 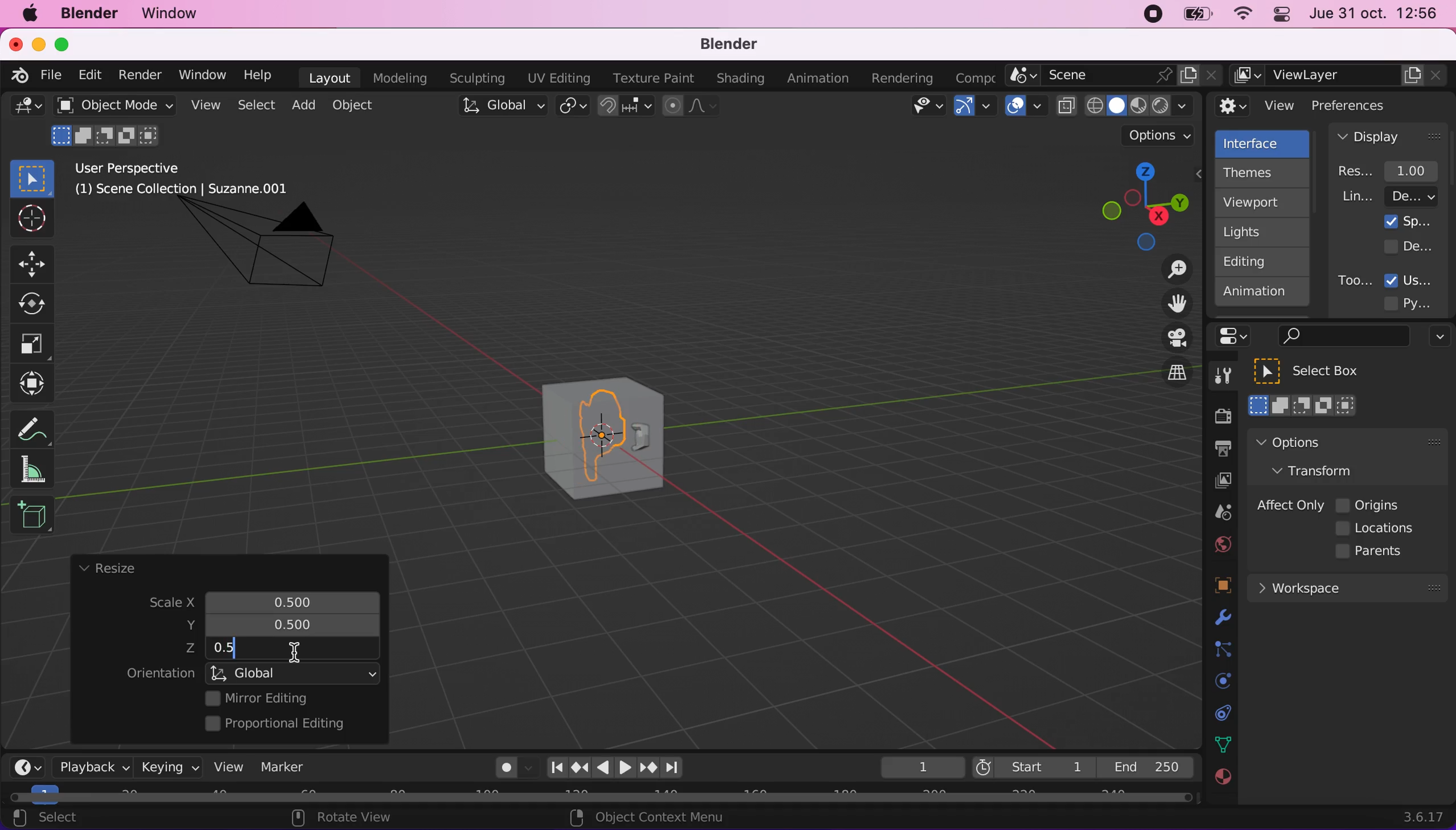 I want to click on measure, so click(x=40, y=469).